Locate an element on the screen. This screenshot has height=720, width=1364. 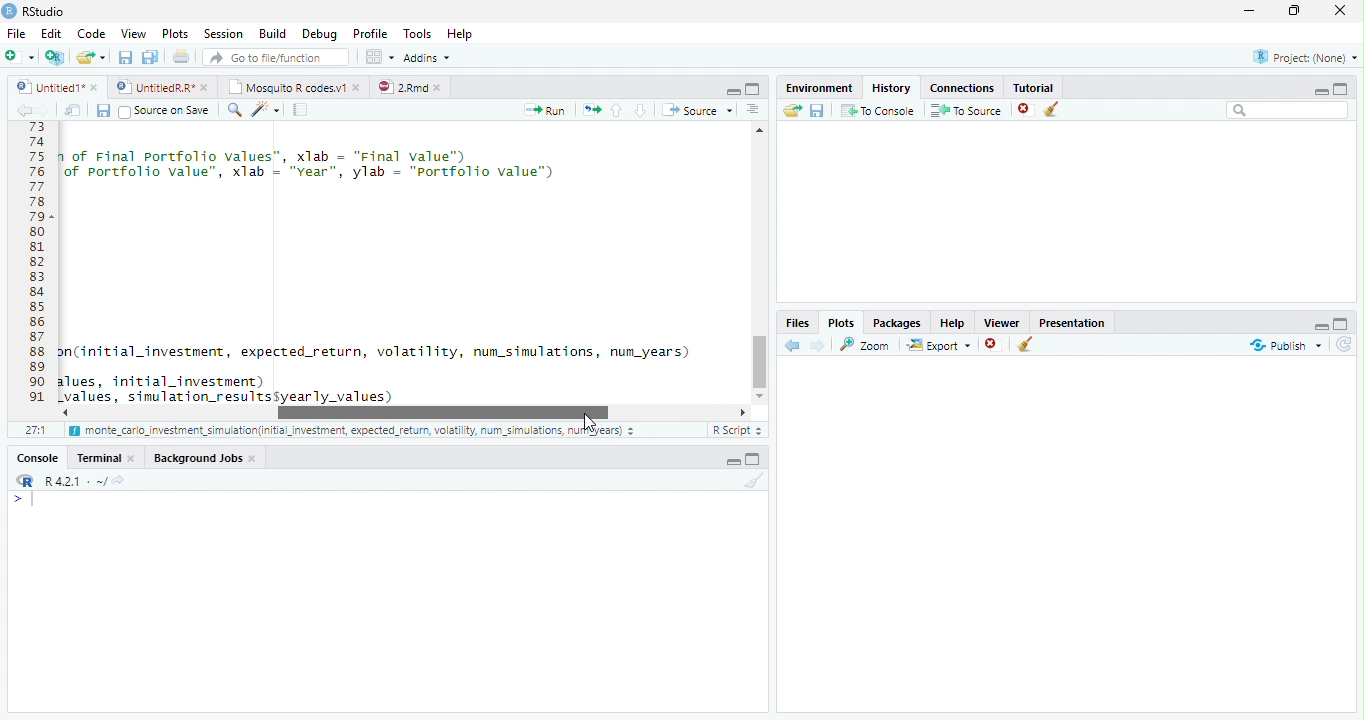
Profile is located at coordinates (369, 33).